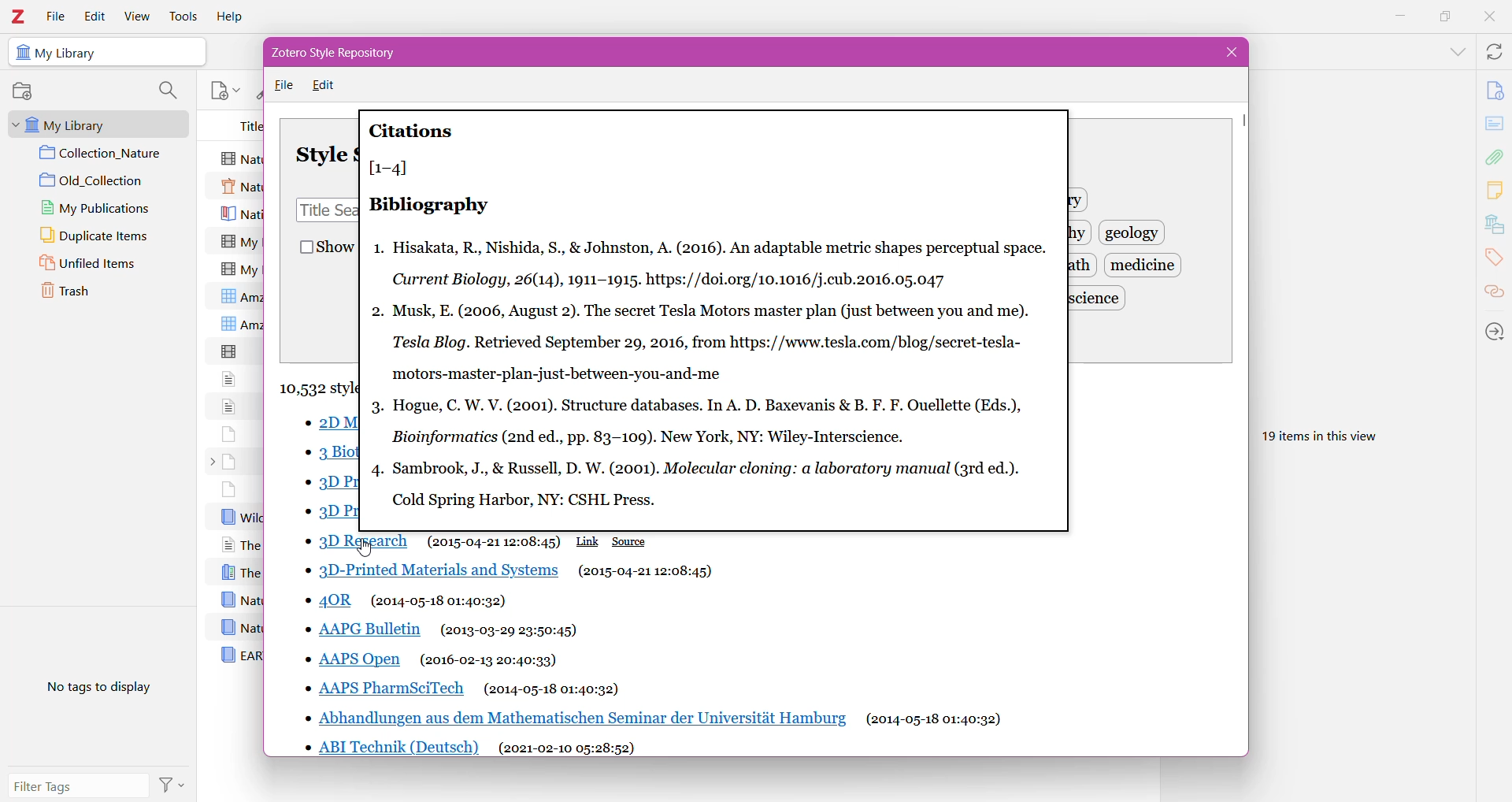  What do you see at coordinates (588, 541) in the screenshot?
I see `Link` at bounding box center [588, 541].